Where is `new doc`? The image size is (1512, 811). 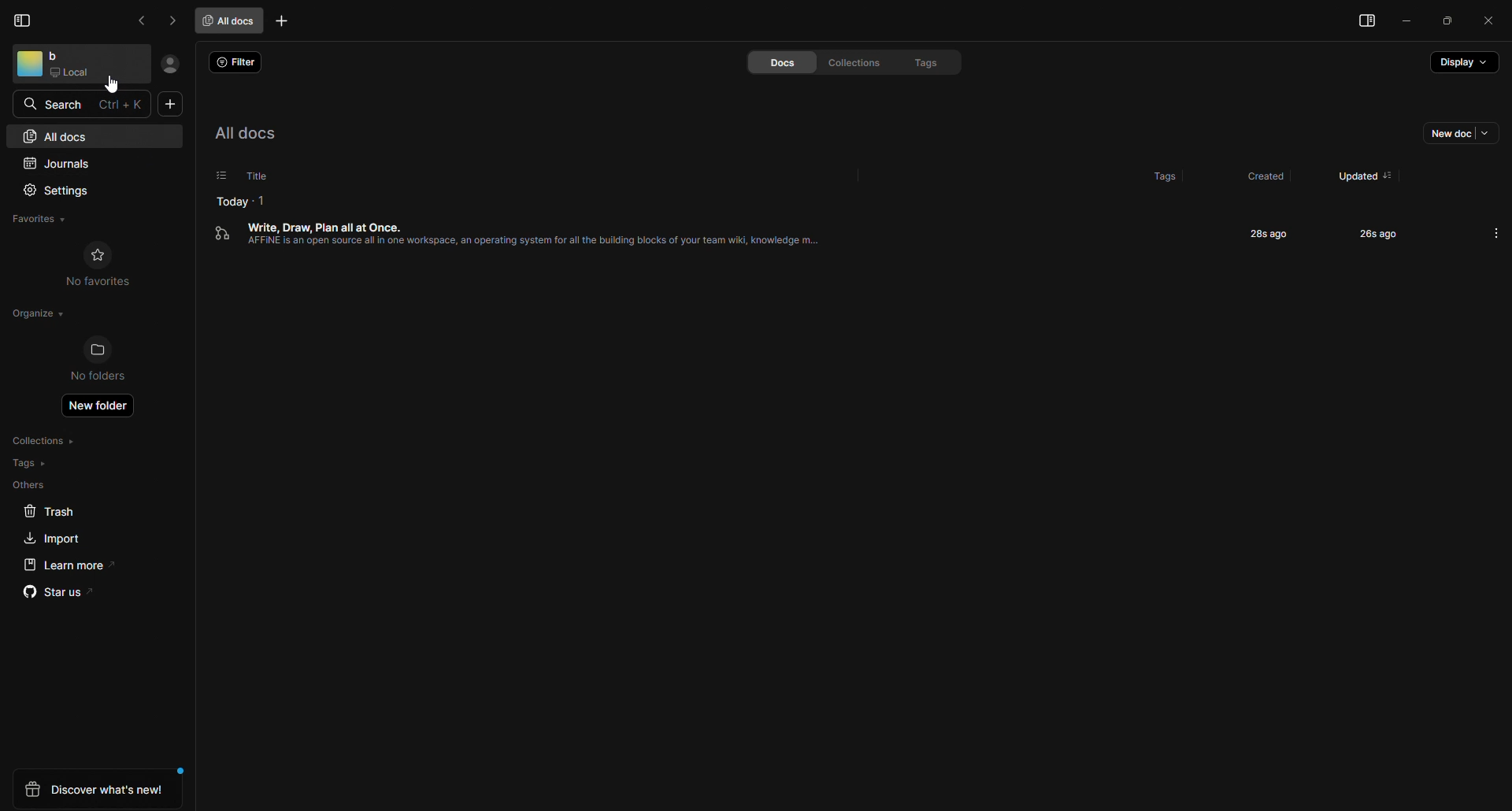
new doc is located at coordinates (1453, 136).